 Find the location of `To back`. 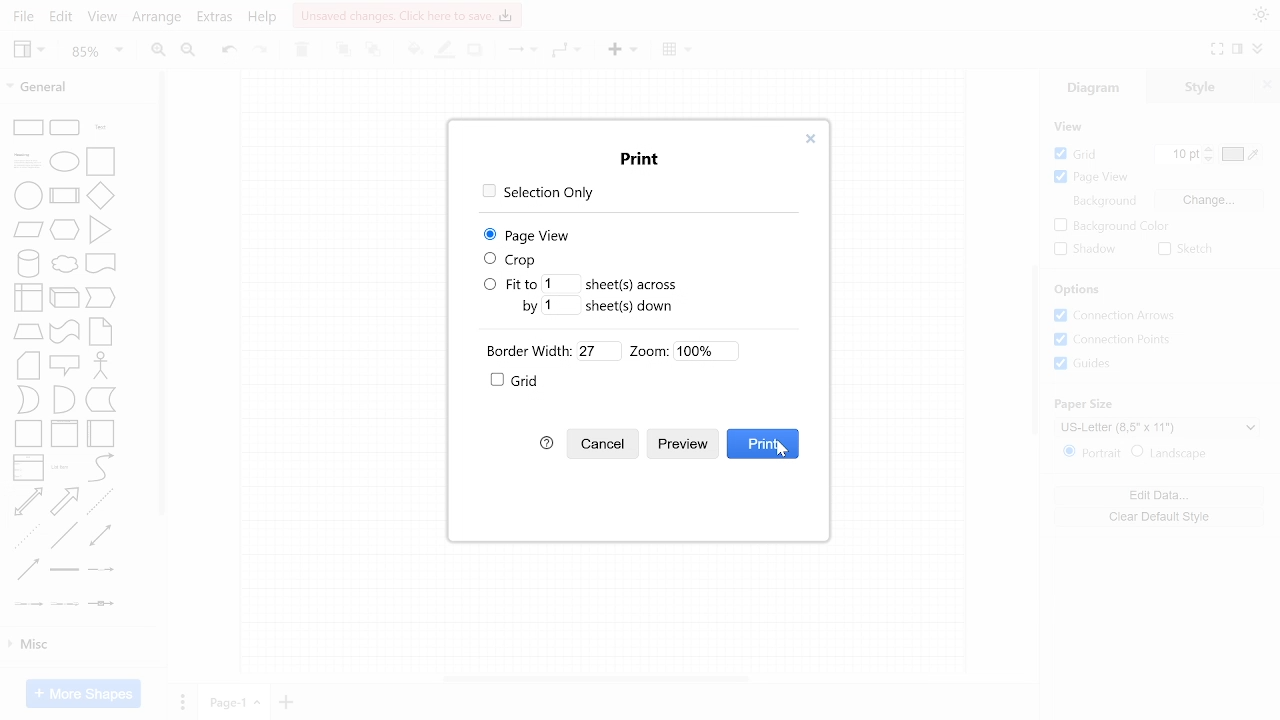

To back is located at coordinates (373, 49).